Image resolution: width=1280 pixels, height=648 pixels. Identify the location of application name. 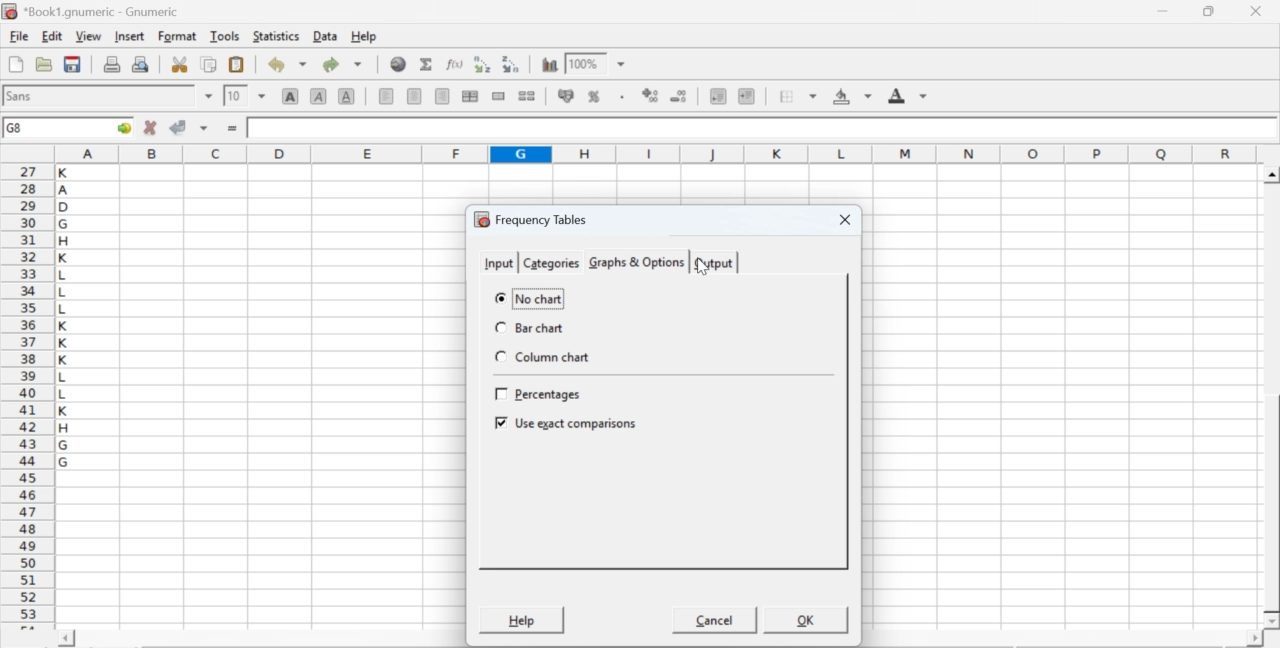
(94, 9).